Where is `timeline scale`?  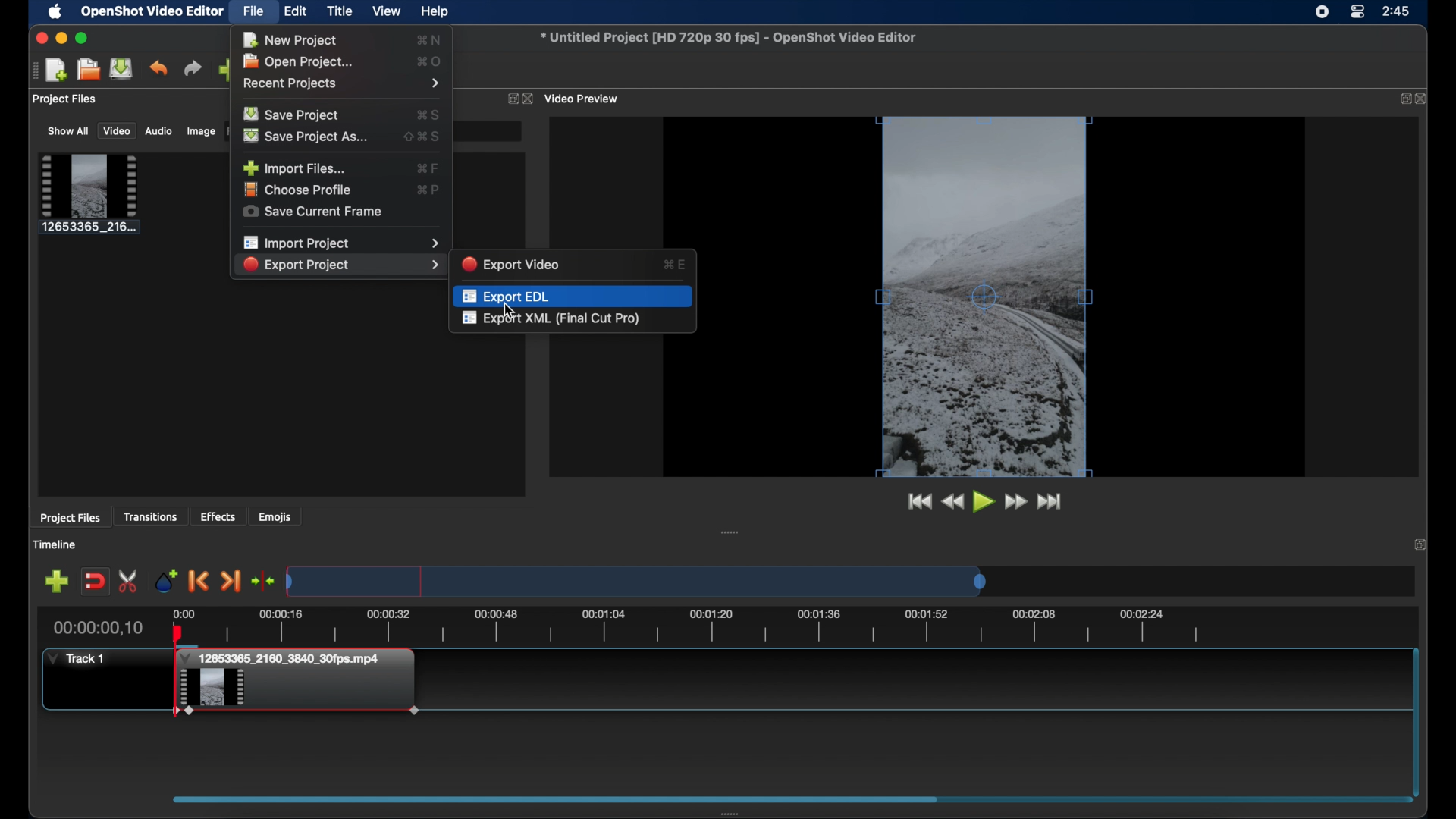 timeline scale is located at coordinates (635, 580).